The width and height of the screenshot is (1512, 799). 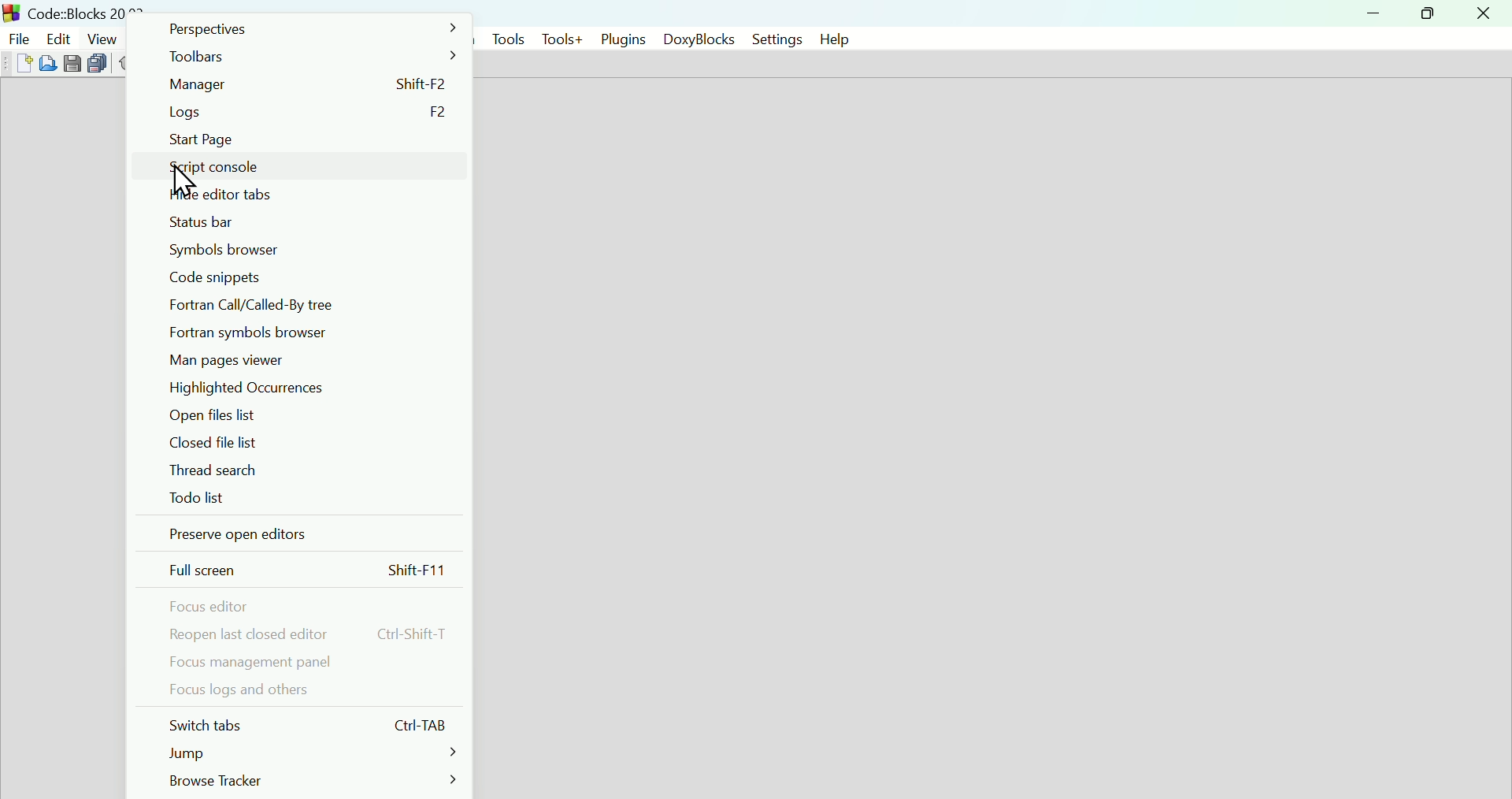 What do you see at coordinates (302, 221) in the screenshot?
I see `Status bar` at bounding box center [302, 221].